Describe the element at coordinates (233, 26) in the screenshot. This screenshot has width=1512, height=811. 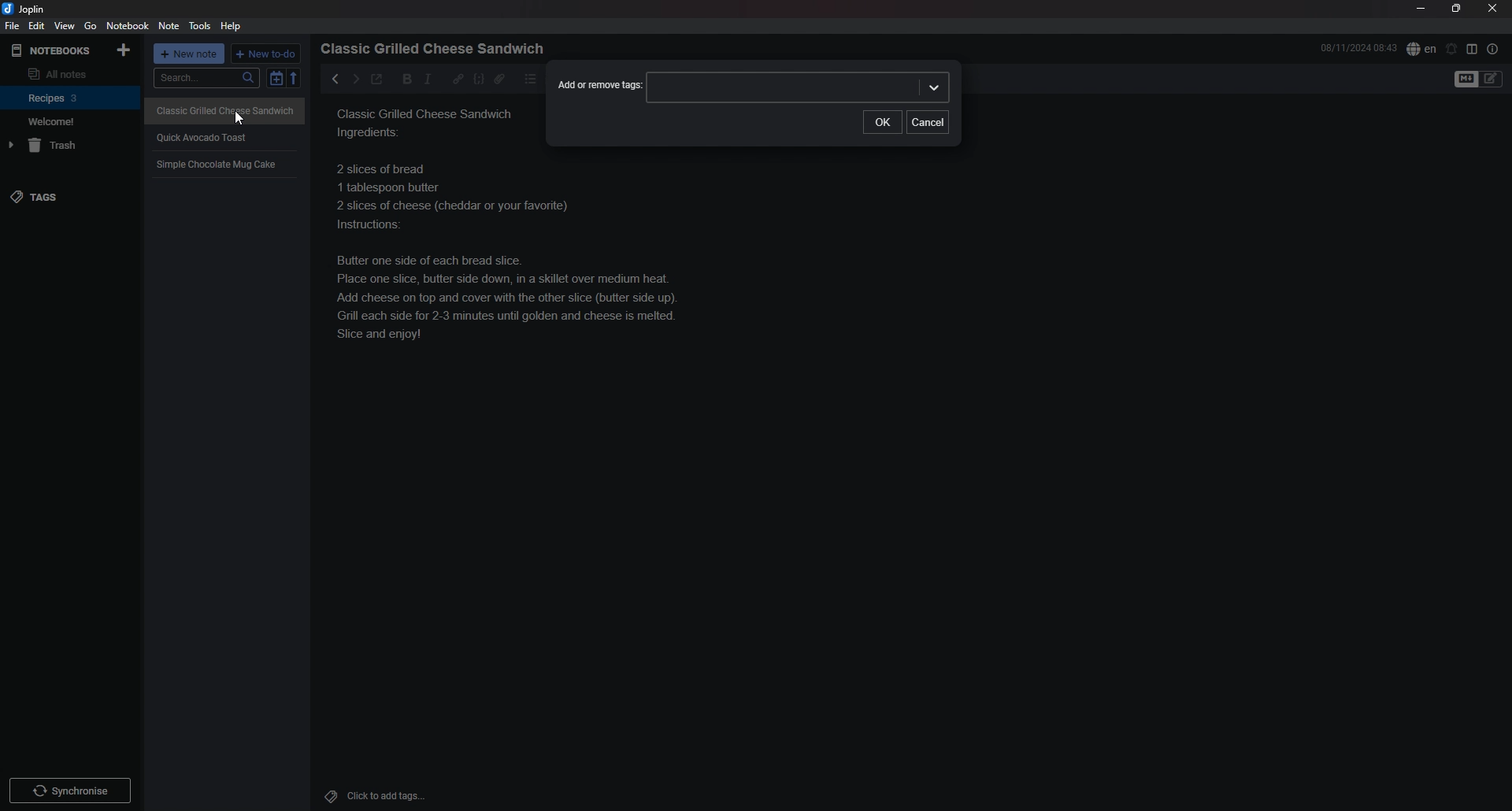
I see `help` at that location.